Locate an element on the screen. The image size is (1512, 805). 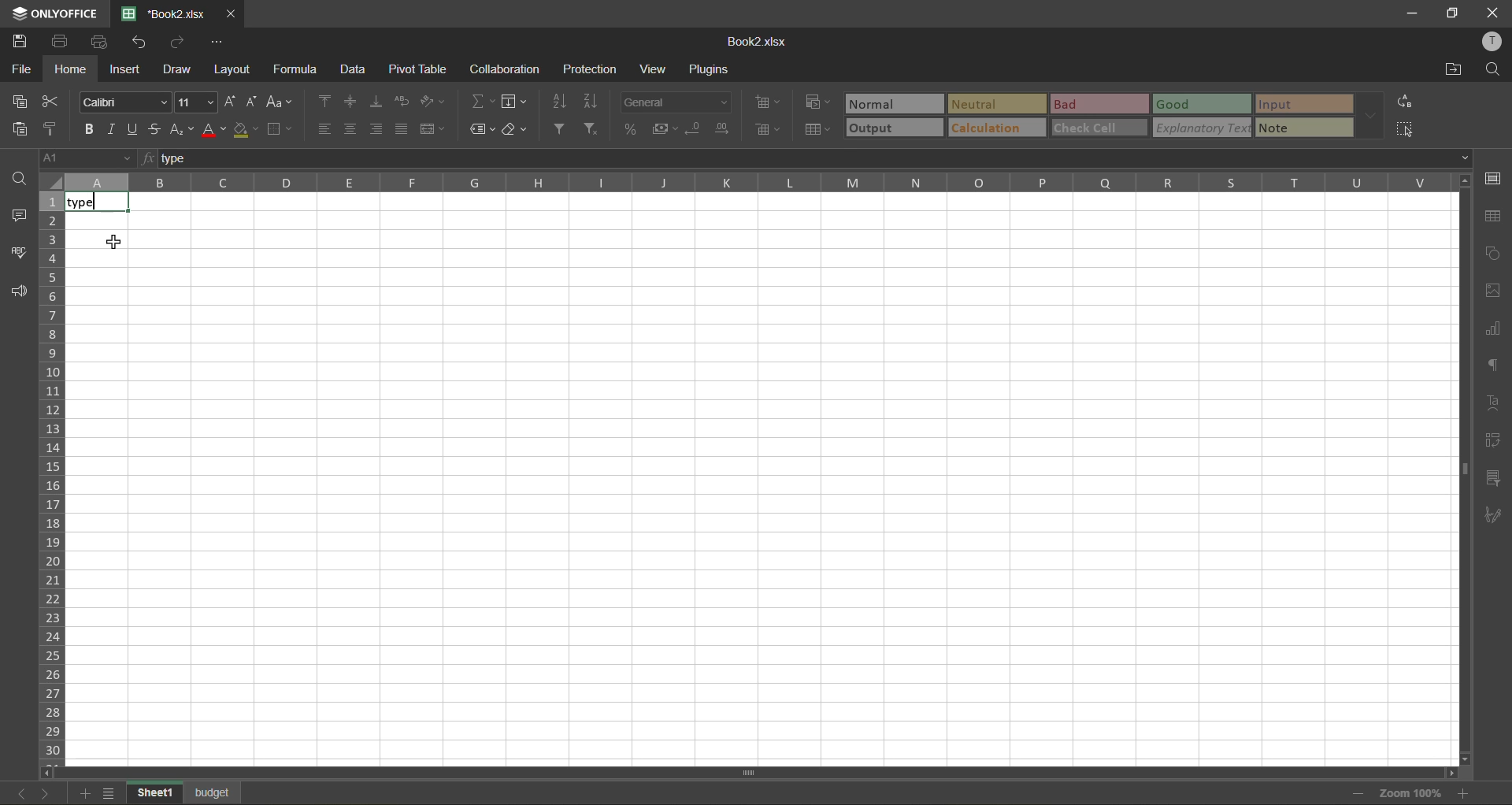
replace is located at coordinates (1404, 102).